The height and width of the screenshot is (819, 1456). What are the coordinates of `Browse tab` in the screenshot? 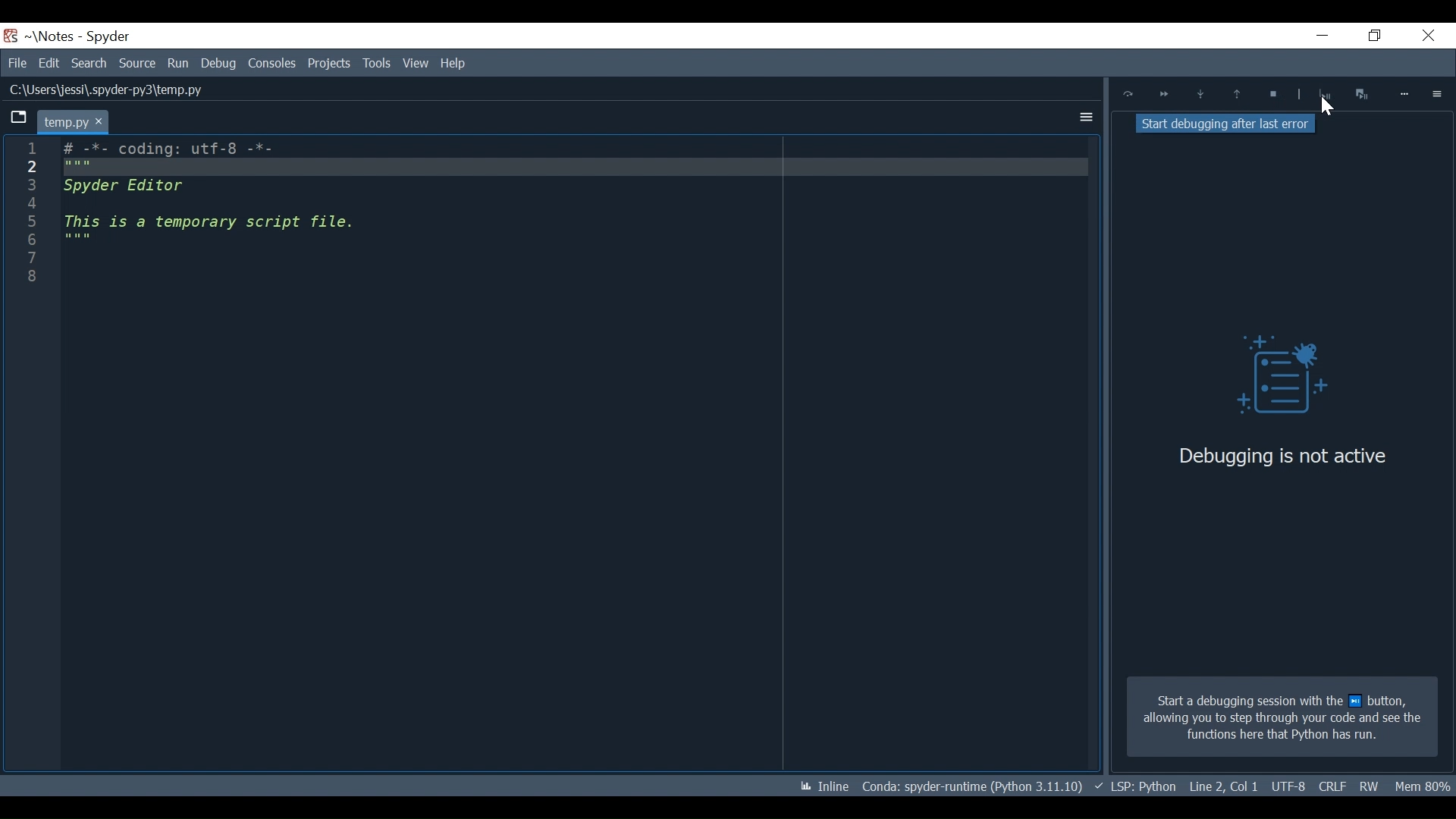 It's located at (18, 119).